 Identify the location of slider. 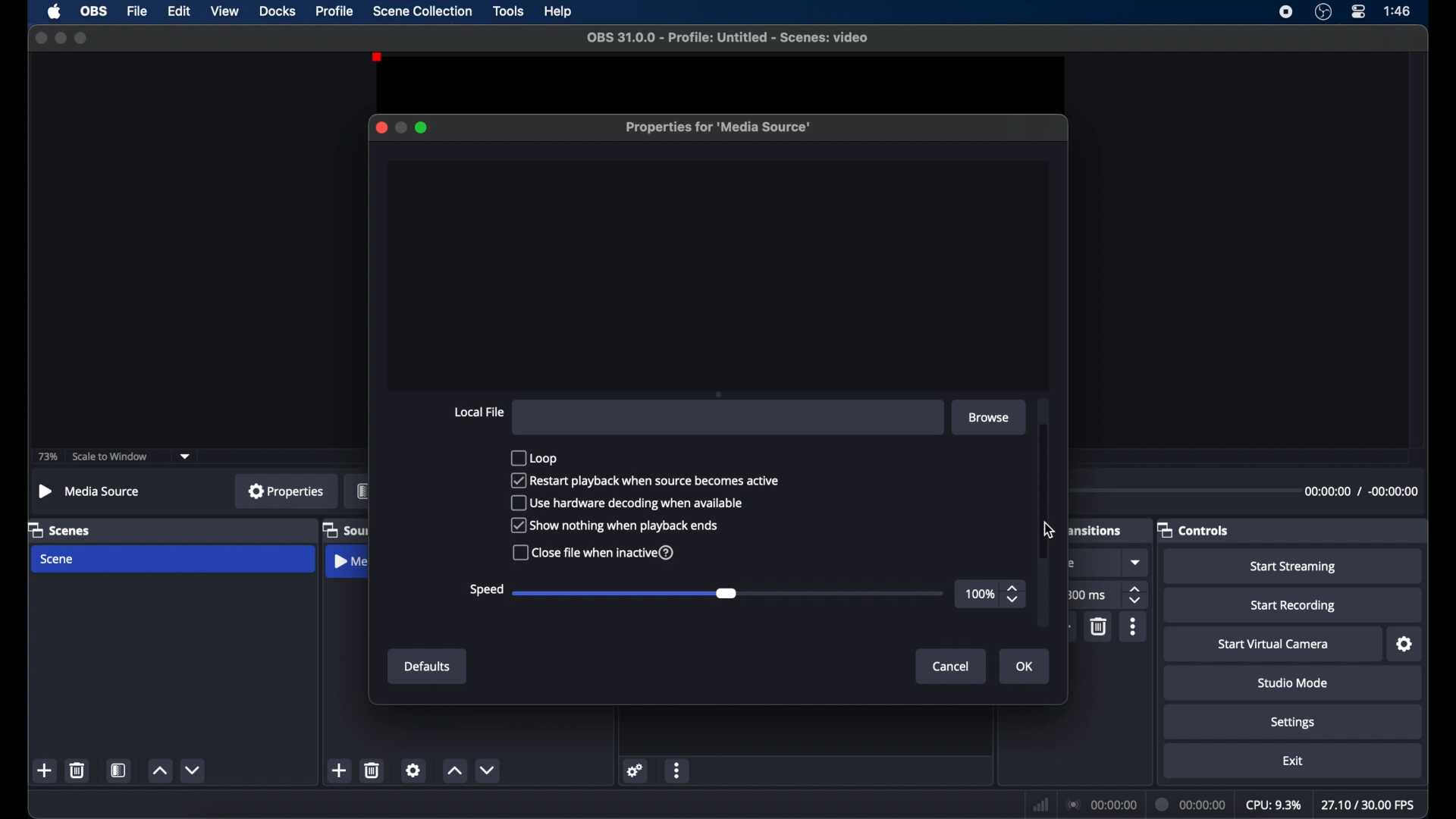
(727, 593).